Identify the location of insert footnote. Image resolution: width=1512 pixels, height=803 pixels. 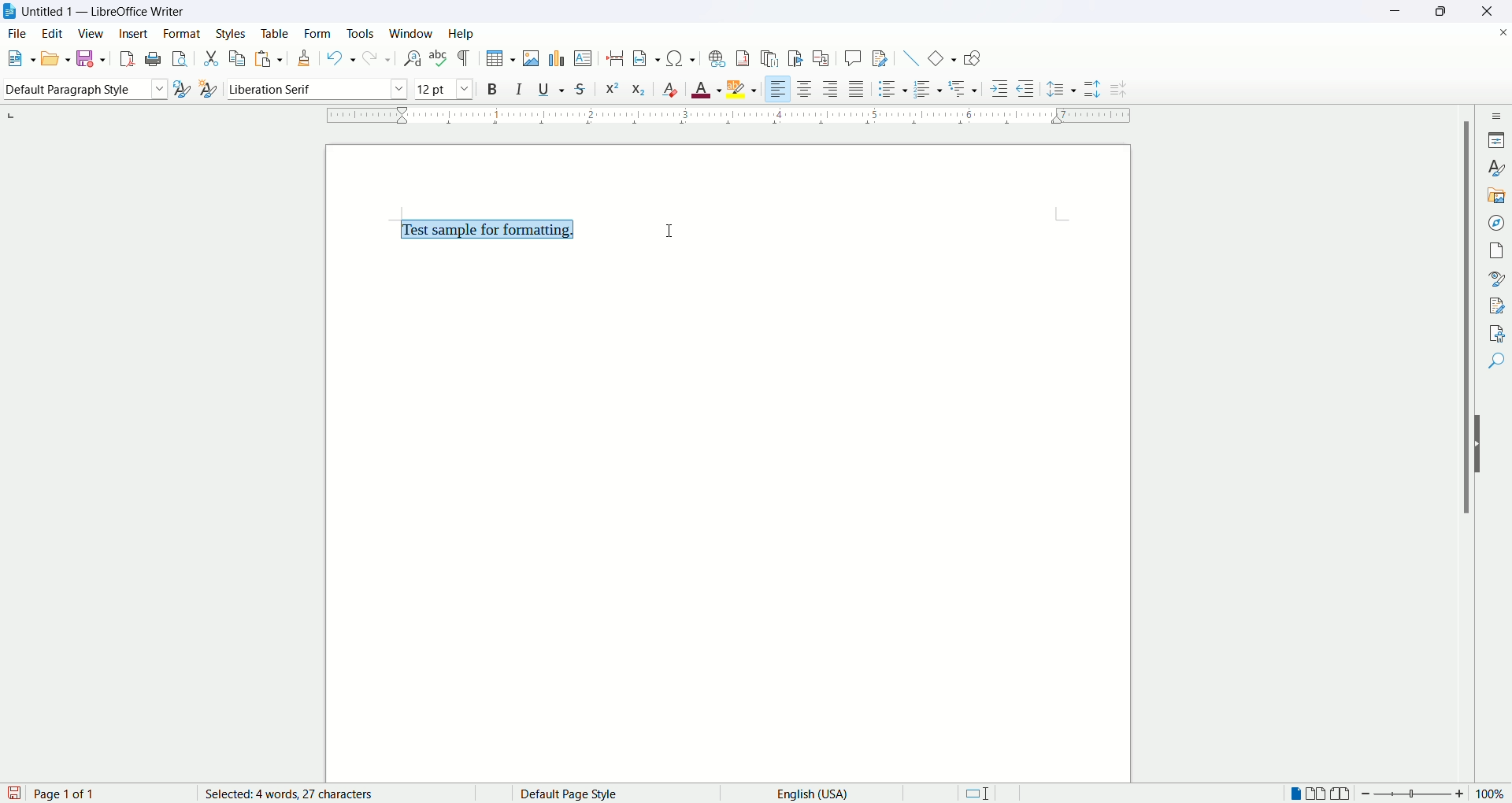
(743, 58).